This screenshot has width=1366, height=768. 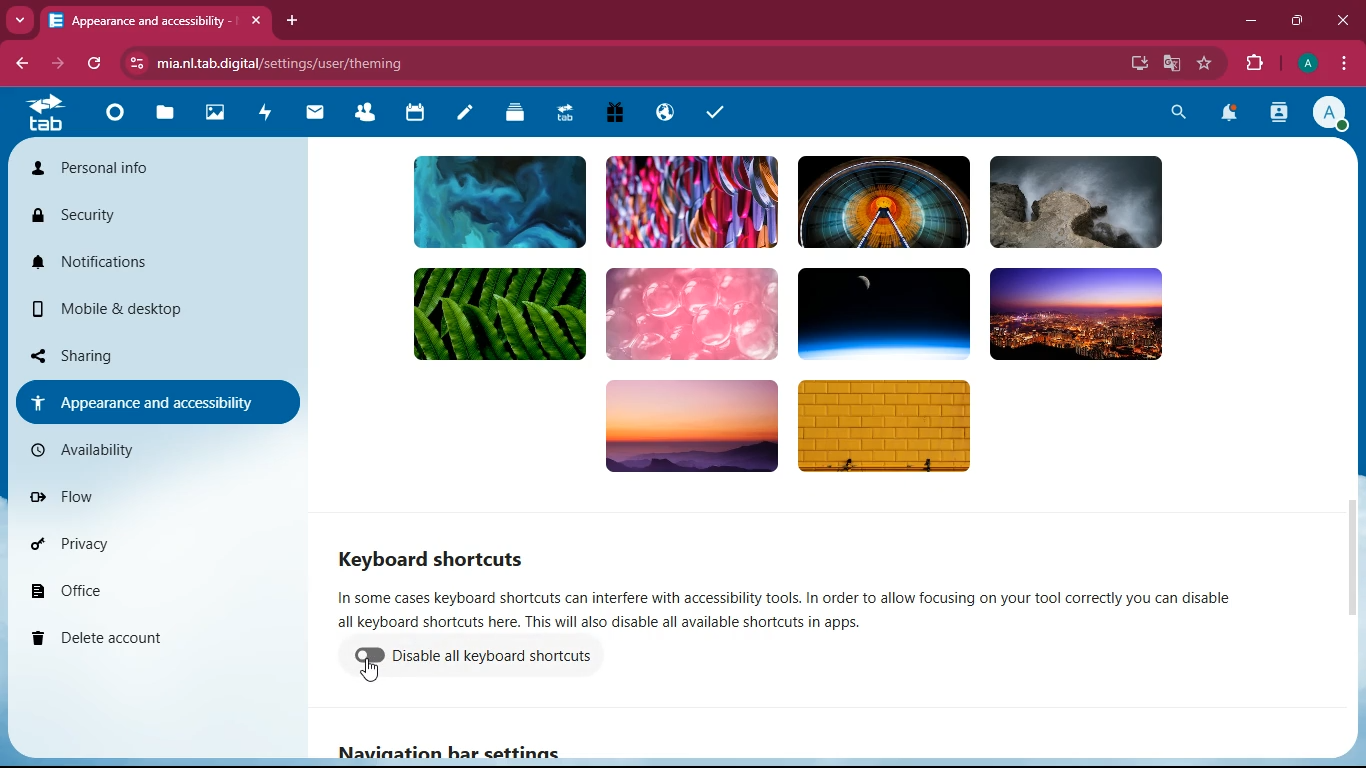 I want to click on background, so click(x=831, y=321).